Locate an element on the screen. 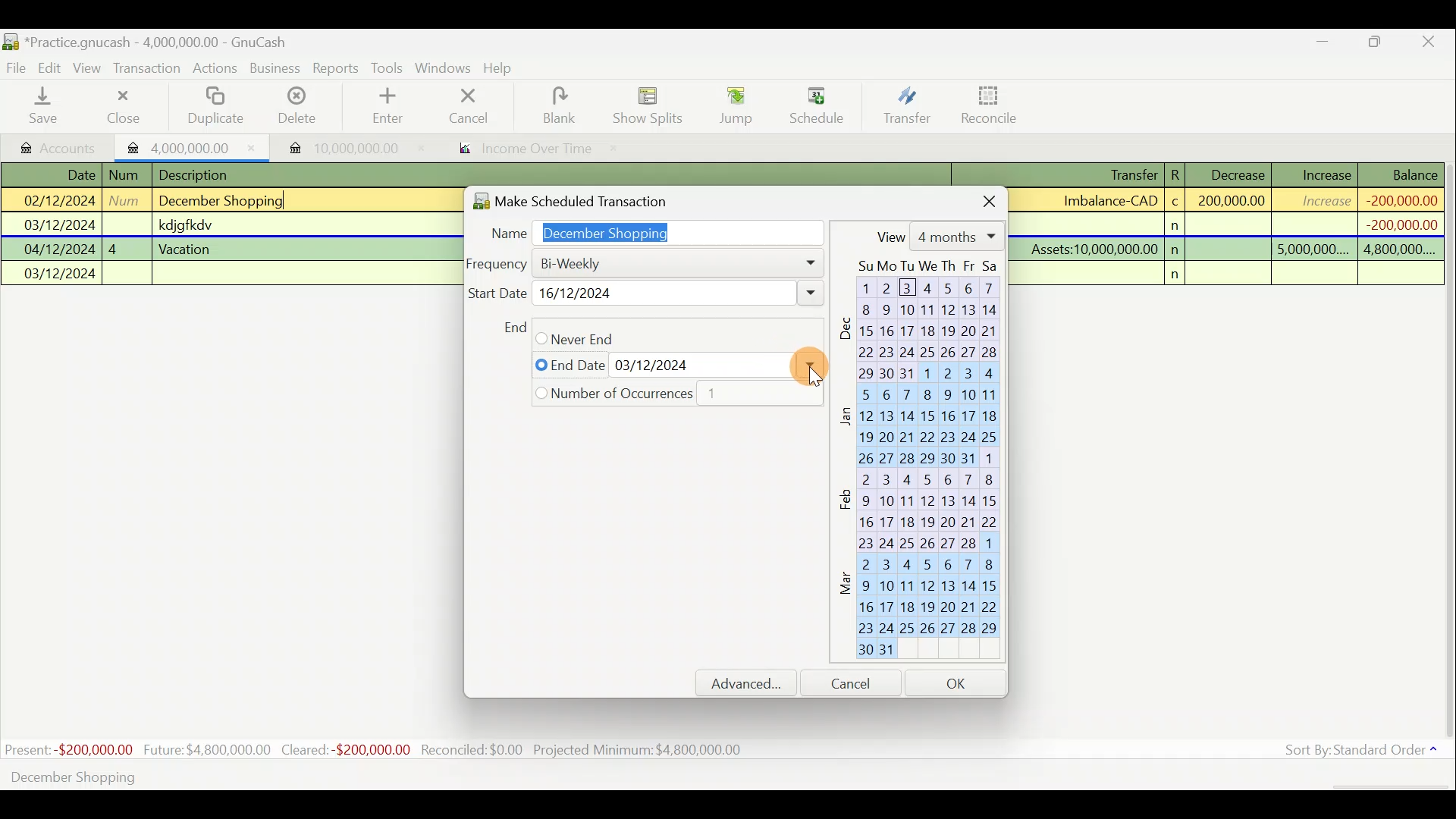 The image size is (1456, 819). OK is located at coordinates (959, 682).